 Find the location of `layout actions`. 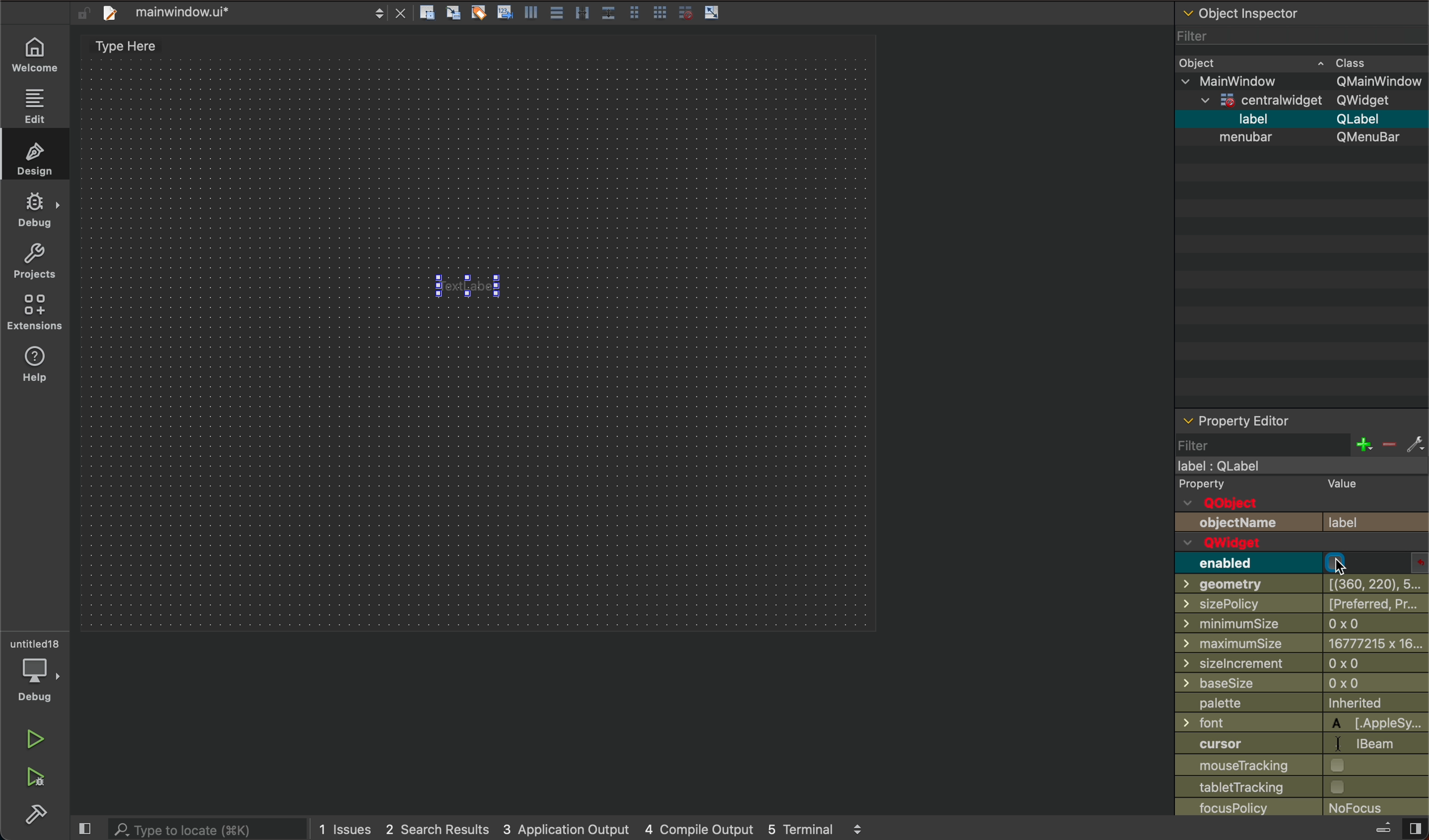

layout actions is located at coordinates (577, 12).